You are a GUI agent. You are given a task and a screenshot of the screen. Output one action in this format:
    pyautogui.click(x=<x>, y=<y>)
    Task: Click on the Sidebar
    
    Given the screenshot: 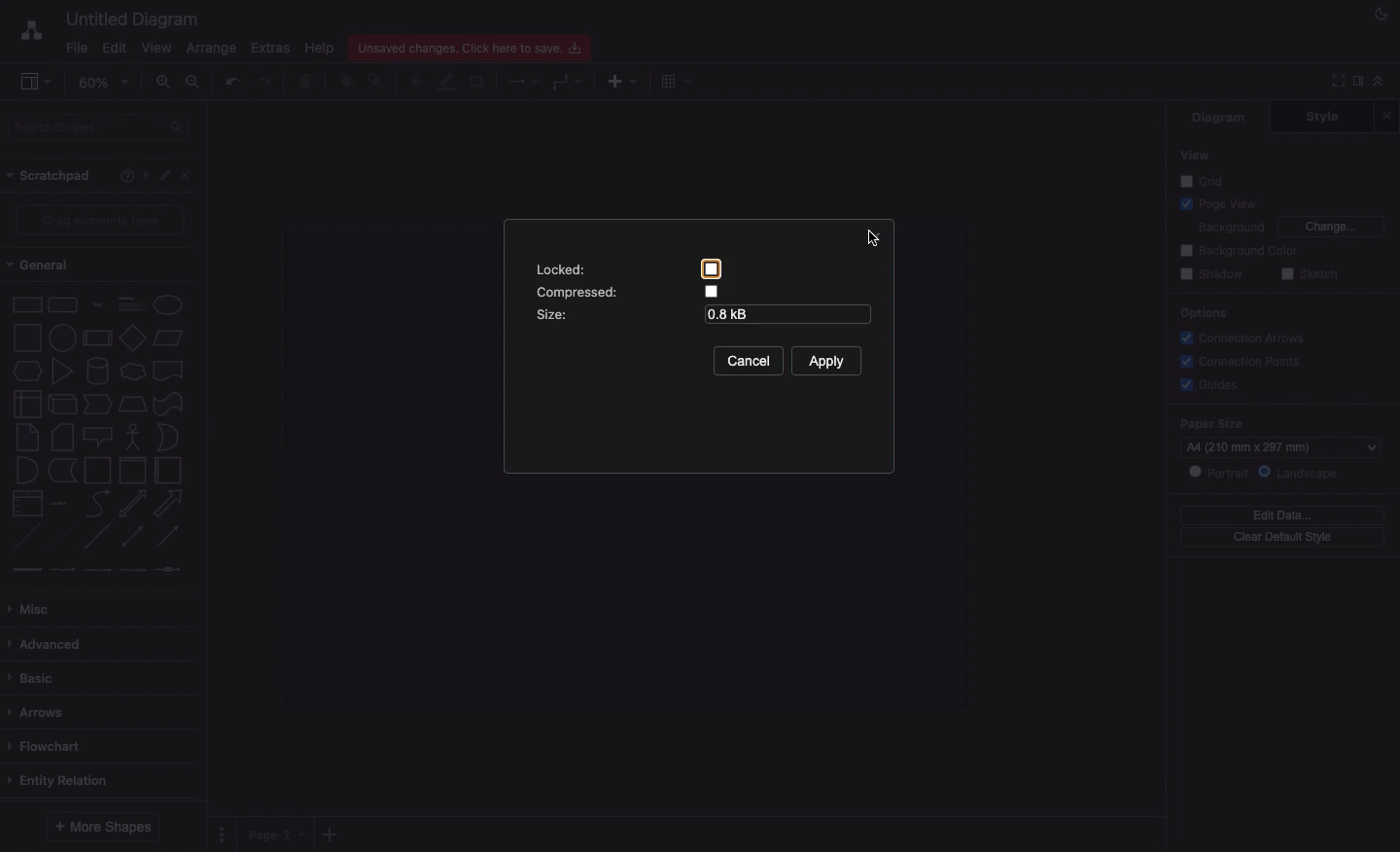 What is the action you would take?
    pyautogui.click(x=1356, y=83)
    